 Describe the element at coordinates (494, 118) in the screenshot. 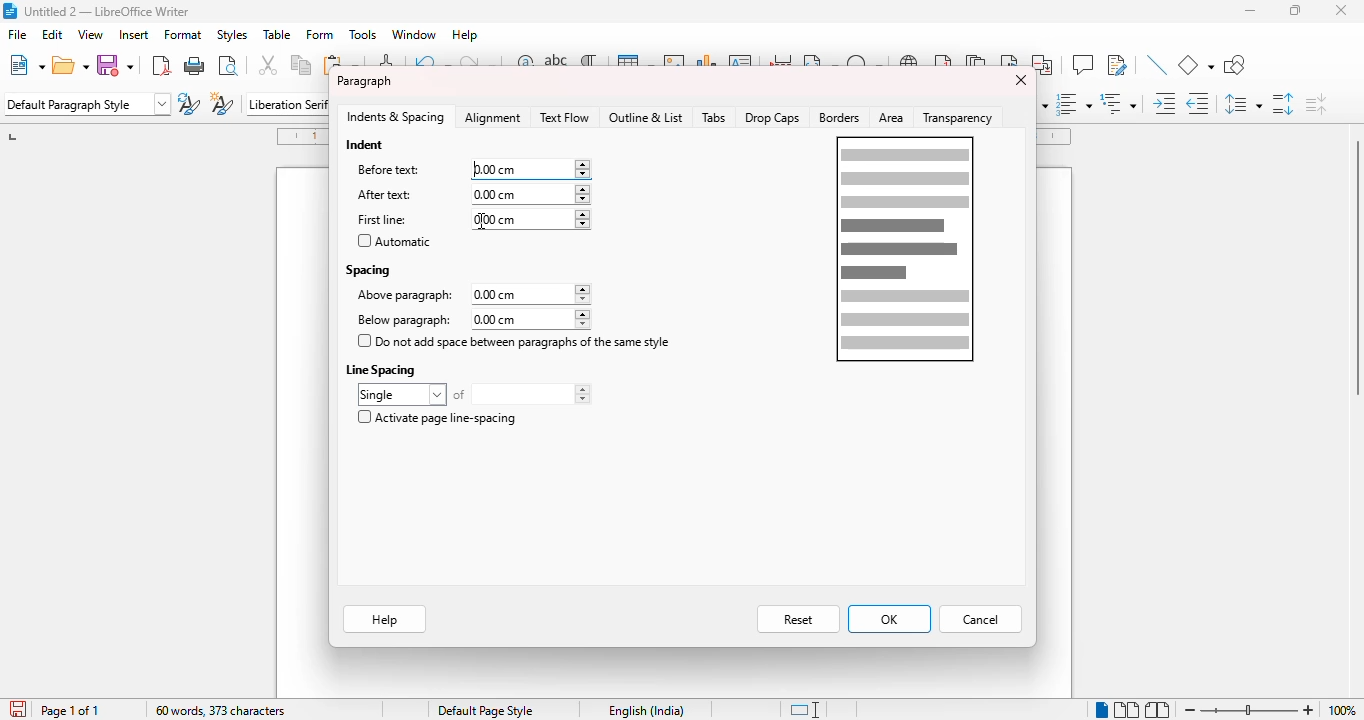

I see `alignment` at that location.